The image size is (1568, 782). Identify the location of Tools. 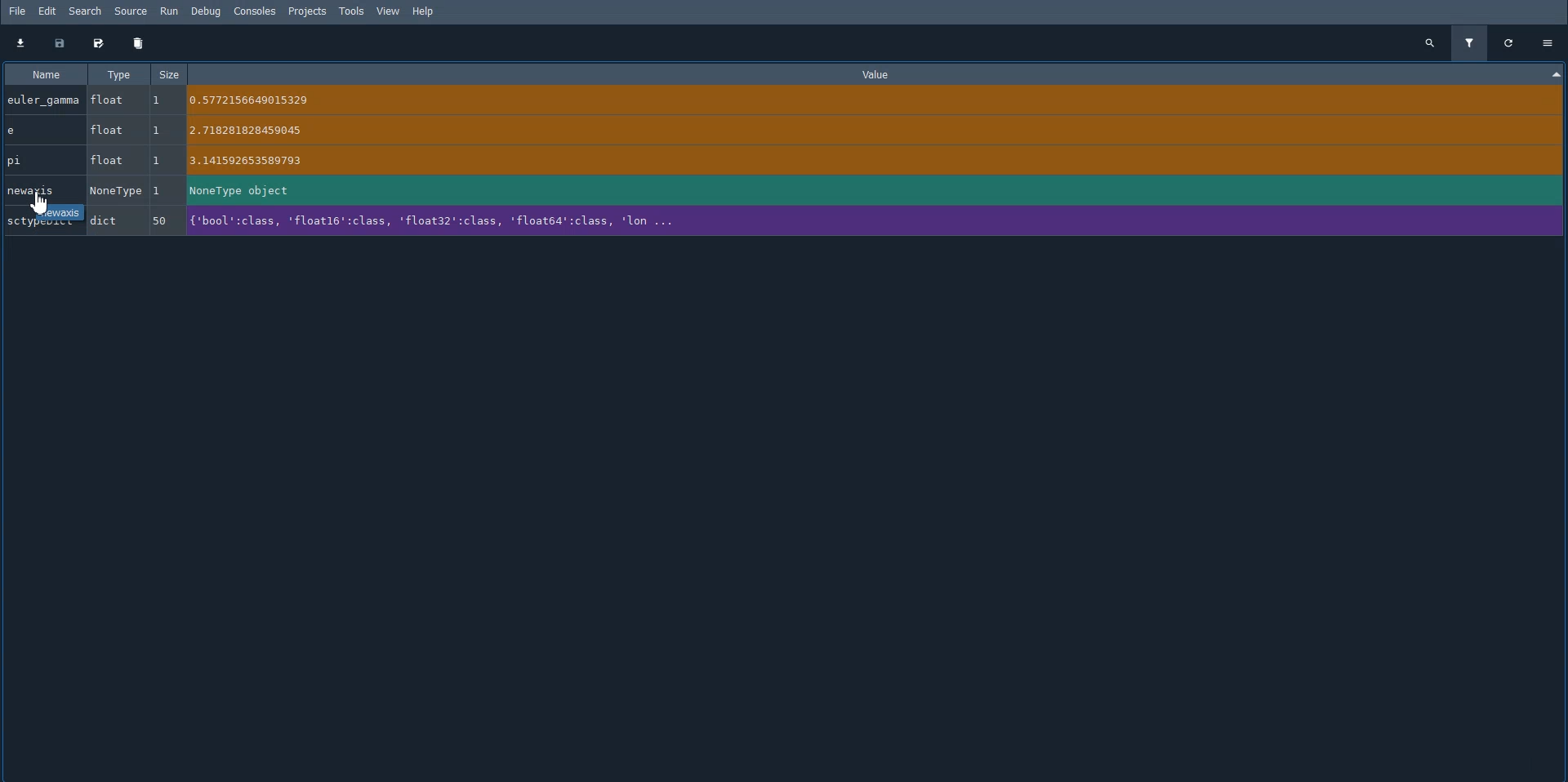
(352, 11).